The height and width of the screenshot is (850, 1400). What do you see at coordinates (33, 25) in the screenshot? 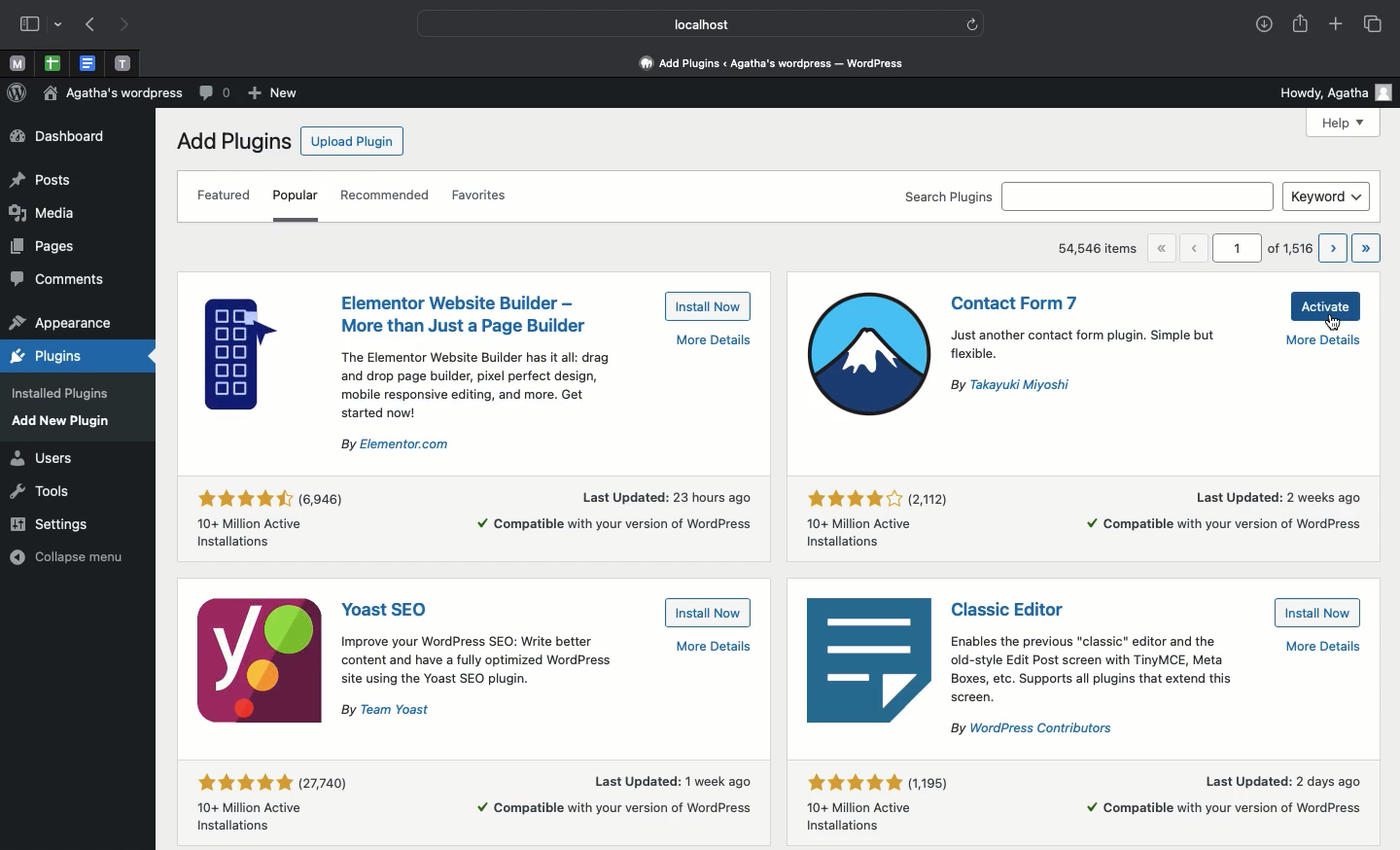
I see `Sidebar` at bounding box center [33, 25].